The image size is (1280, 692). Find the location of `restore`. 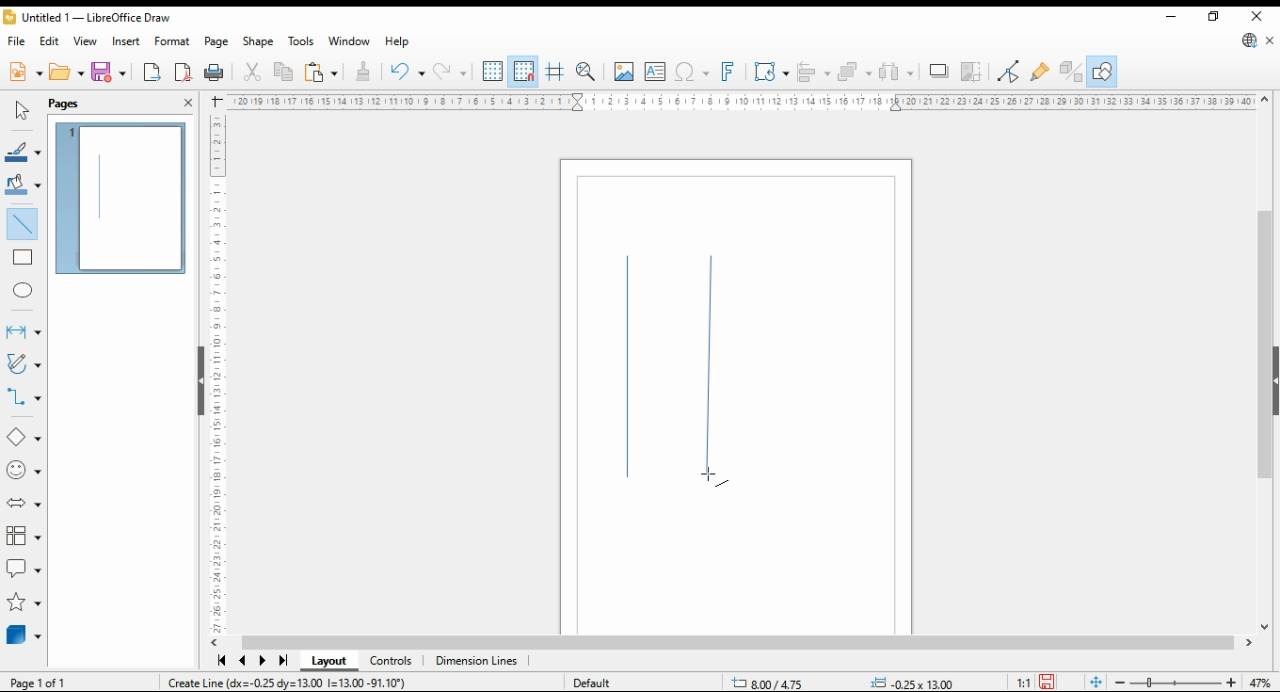

restore is located at coordinates (1213, 17).